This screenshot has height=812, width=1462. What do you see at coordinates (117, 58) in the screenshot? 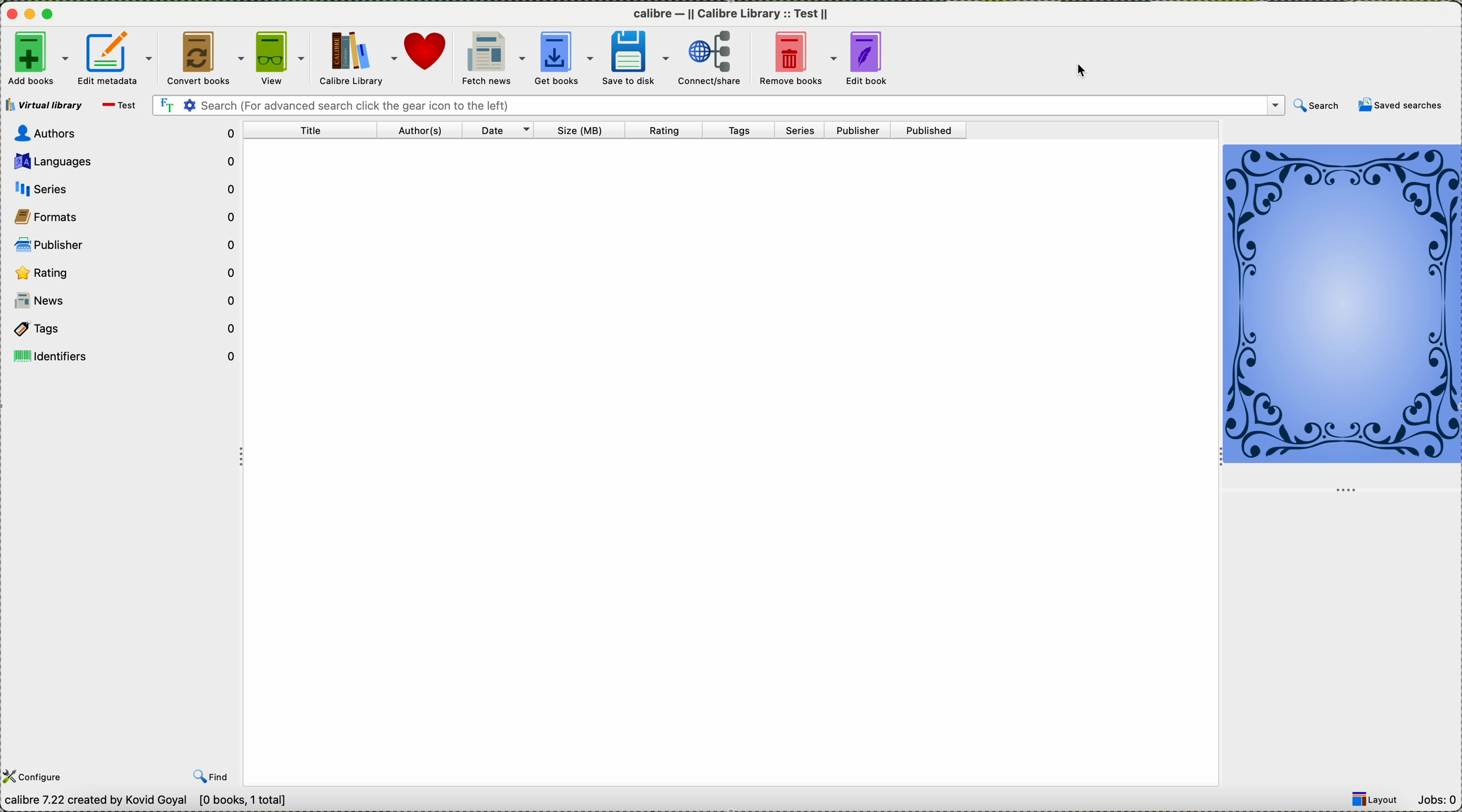
I see `edit metadata` at bounding box center [117, 58].